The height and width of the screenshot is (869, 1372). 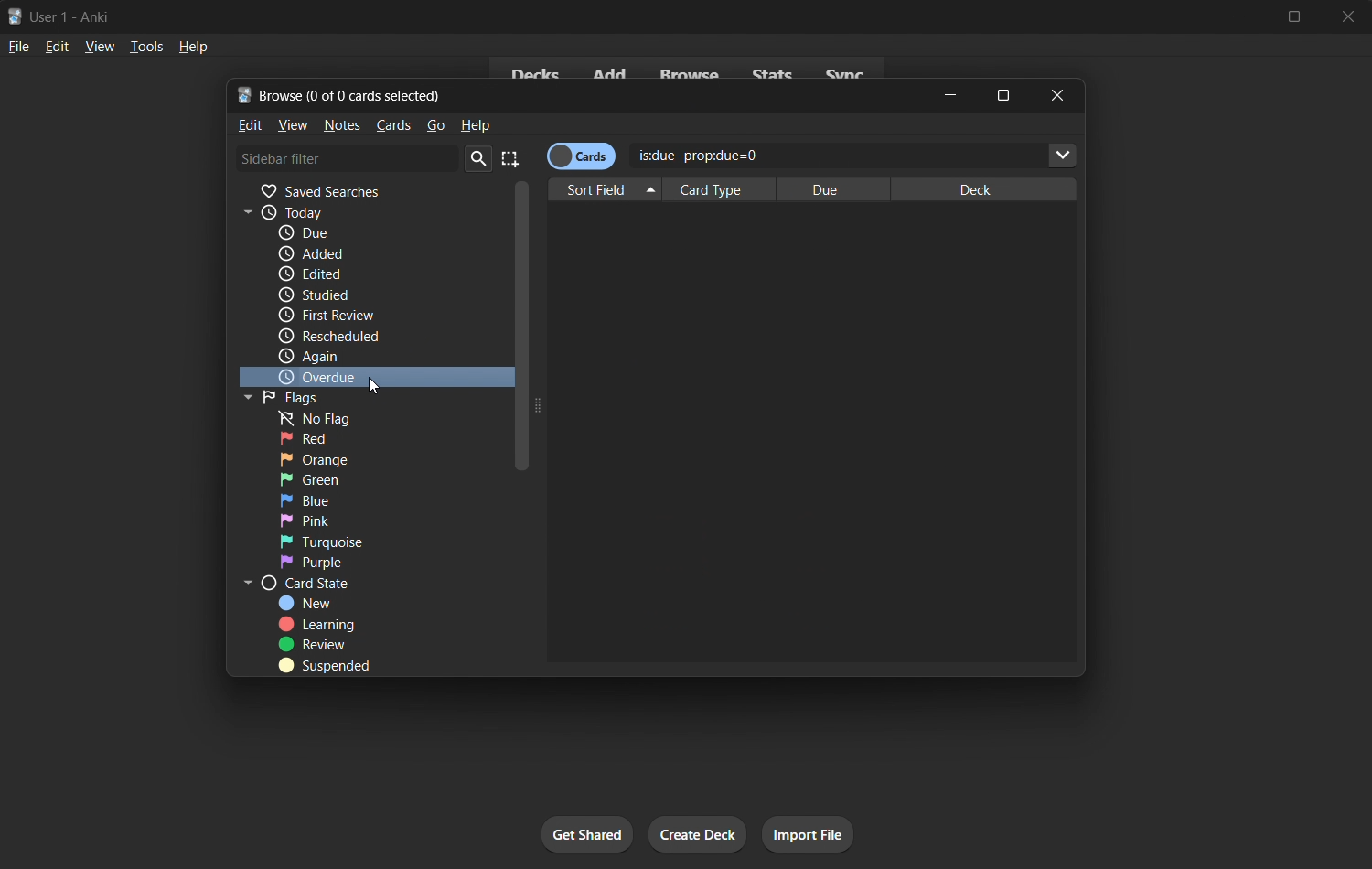 I want to click on due, so click(x=829, y=188).